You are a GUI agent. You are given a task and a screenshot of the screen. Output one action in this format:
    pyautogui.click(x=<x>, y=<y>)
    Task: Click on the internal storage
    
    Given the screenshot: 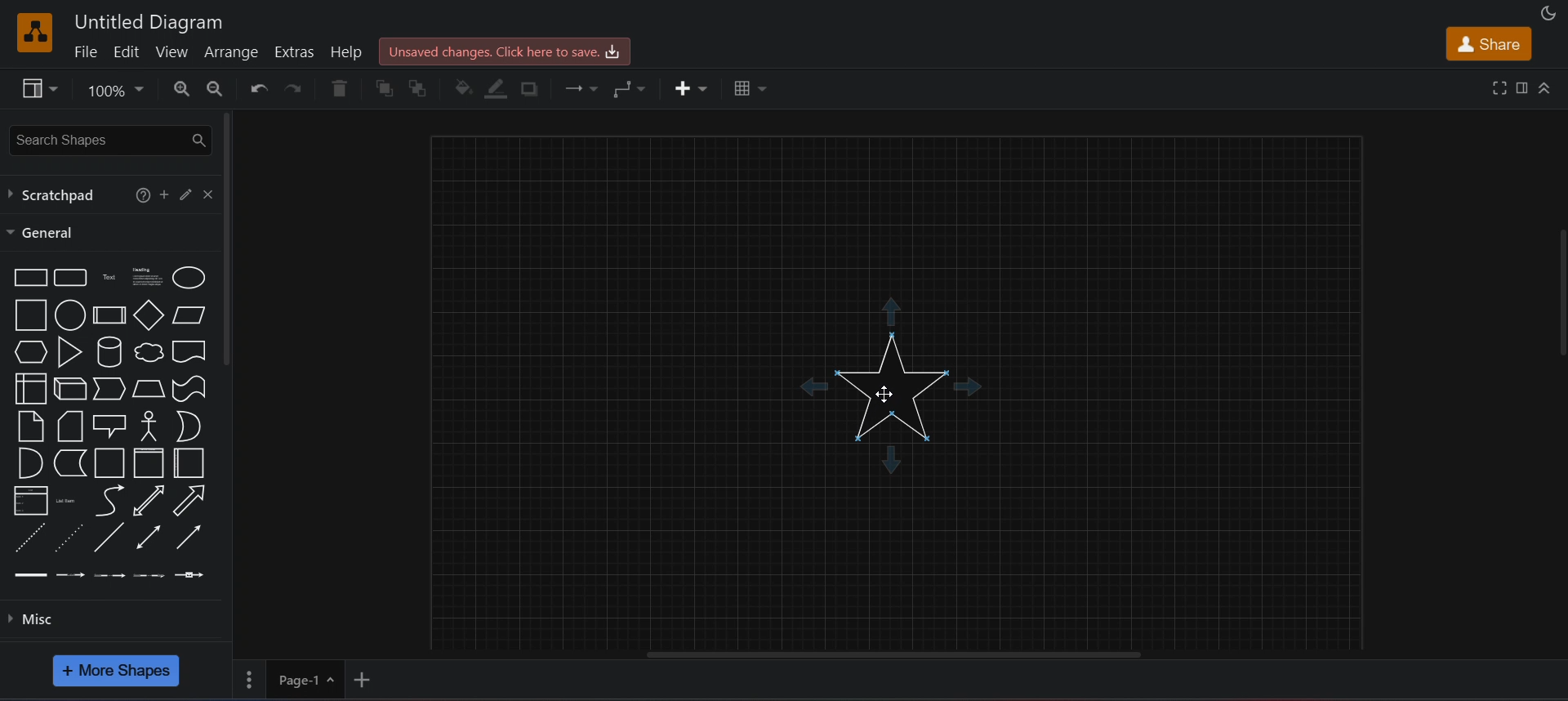 What is the action you would take?
    pyautogui.click(x=30, y=386)
    